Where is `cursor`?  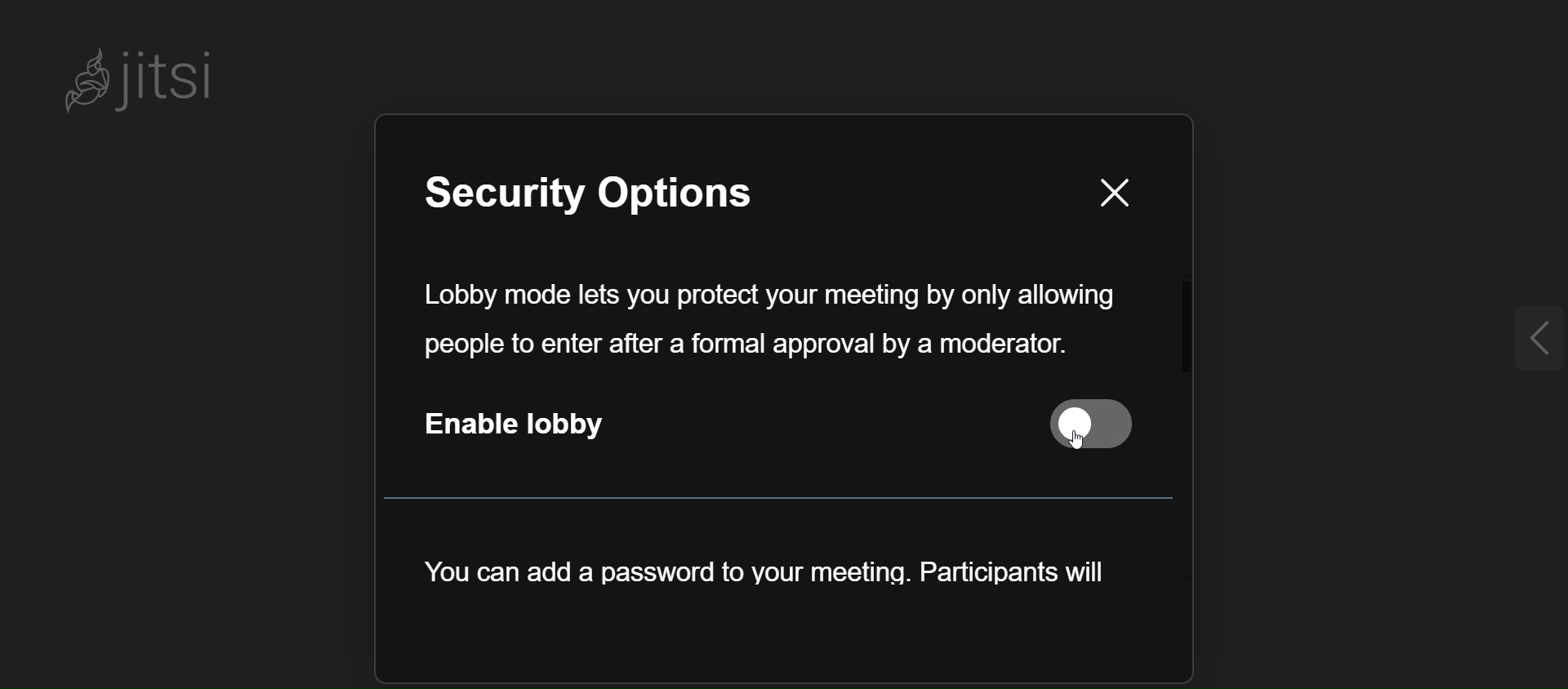 cursor is located at coordinates (1106, 442).